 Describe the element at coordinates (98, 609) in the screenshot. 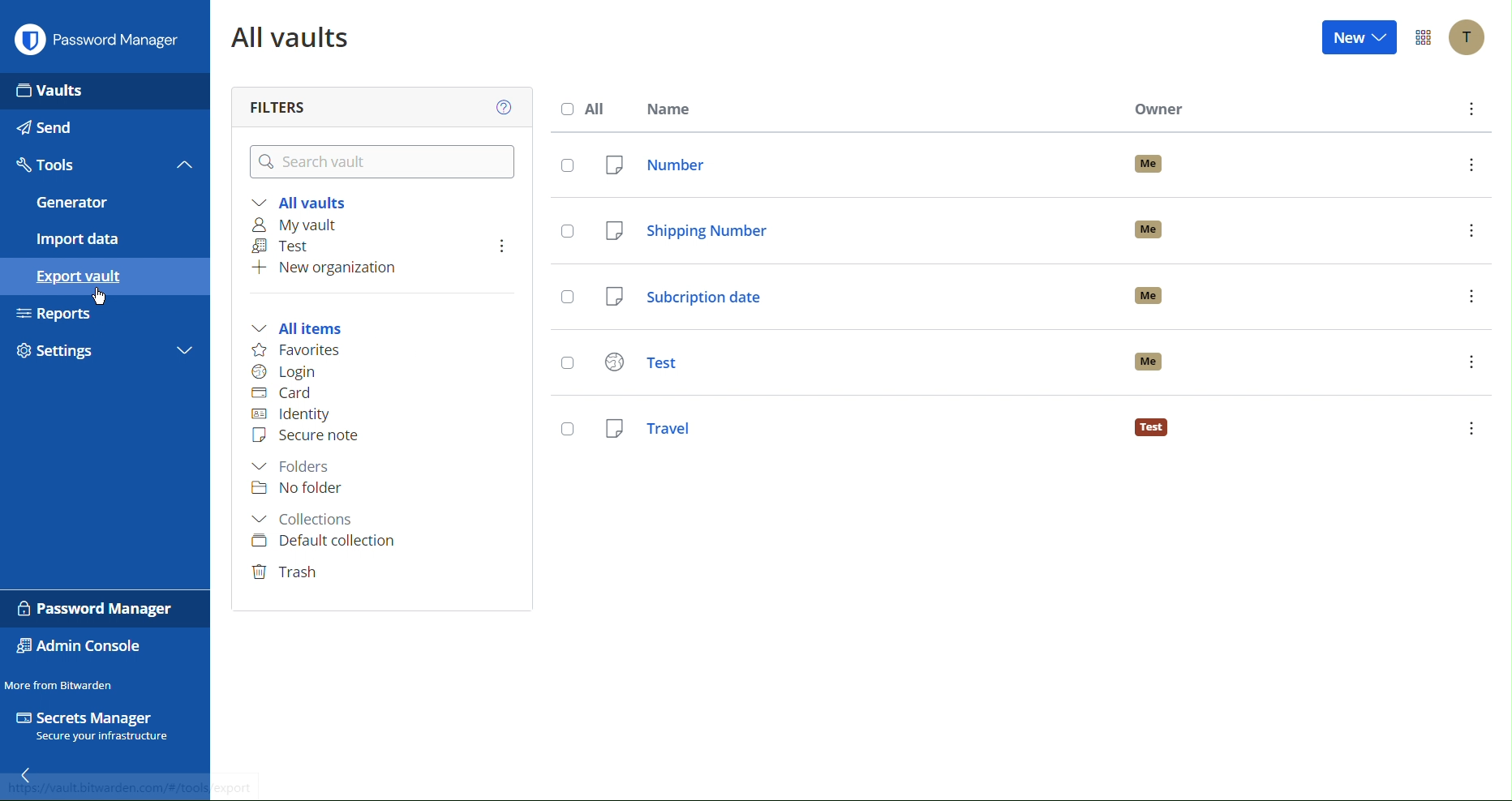

I see `Password Manager` at that location.